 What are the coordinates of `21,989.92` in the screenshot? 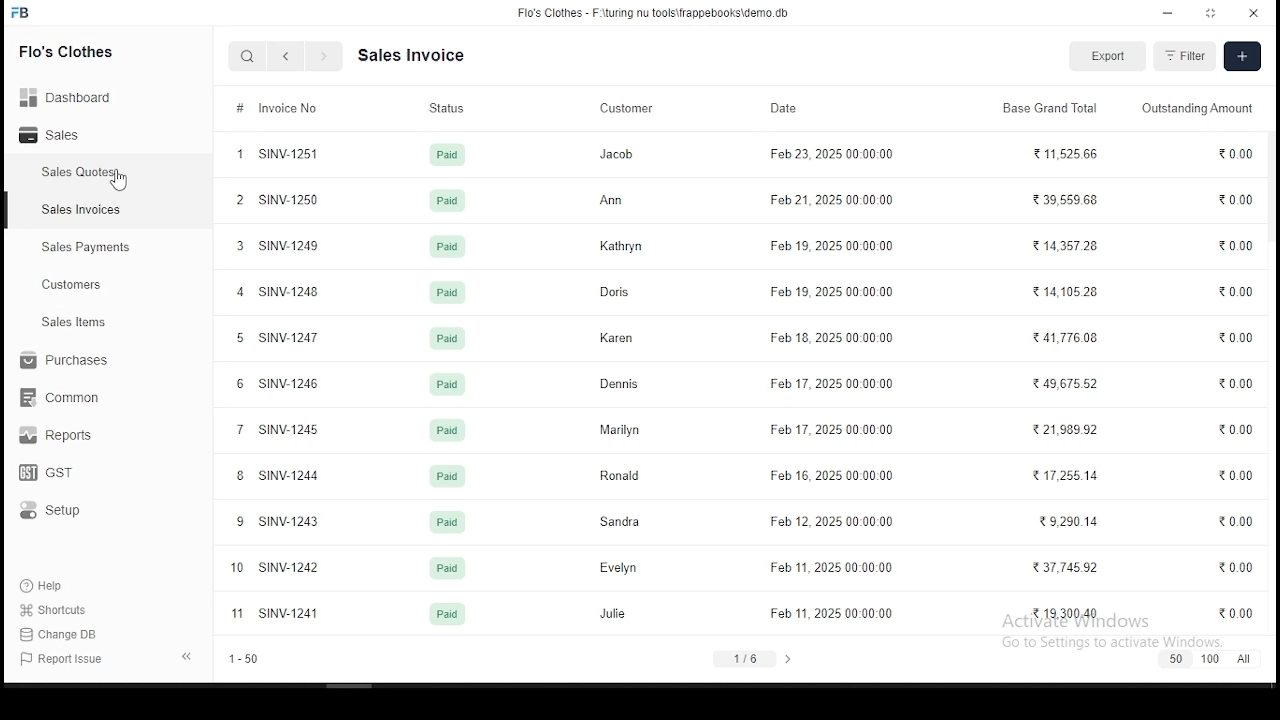 It's located at (1068, 428).